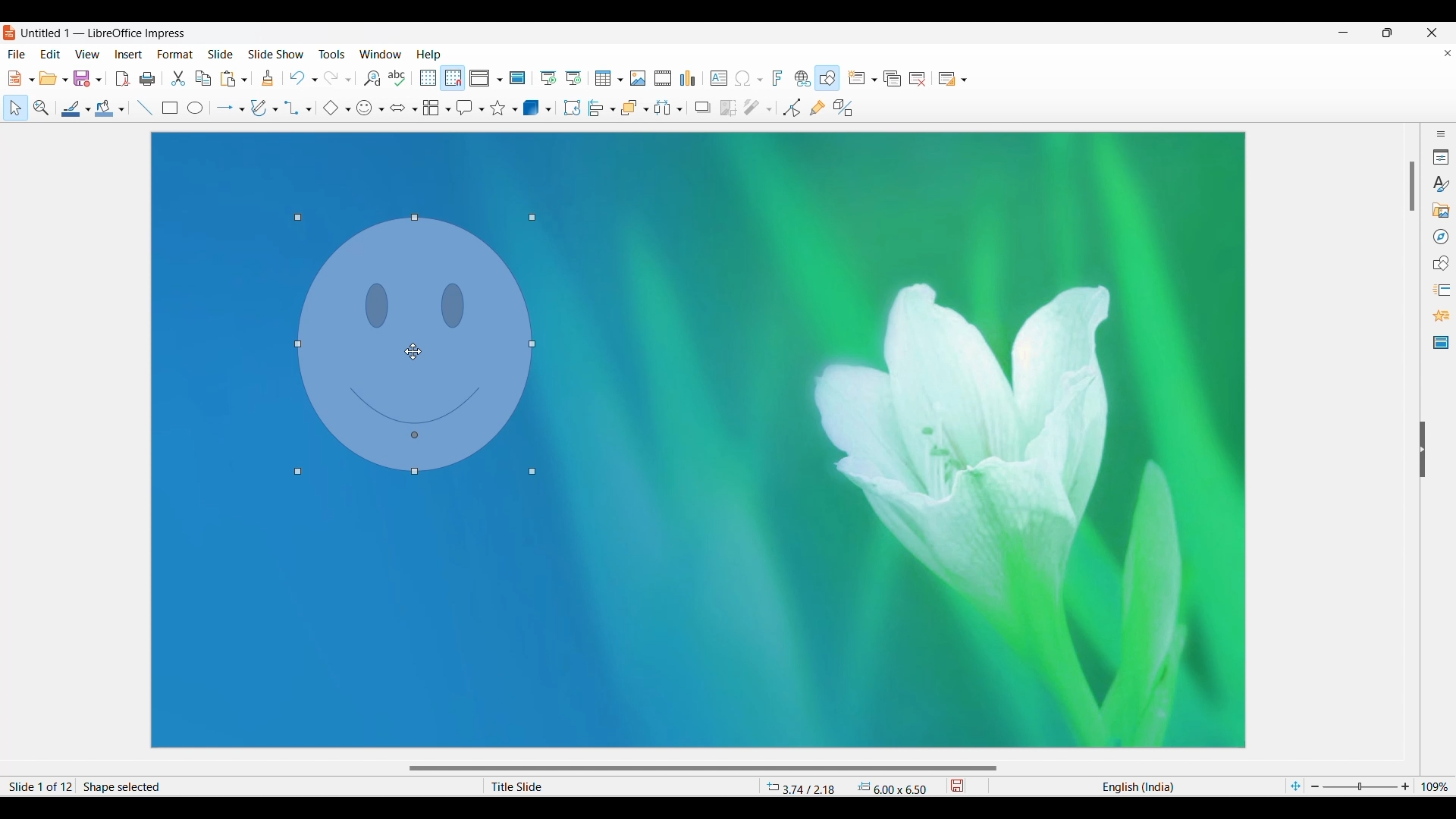  Describe the element at coordinates (631, 108) in the screenshot. I see `Selected arrangement` at that location.